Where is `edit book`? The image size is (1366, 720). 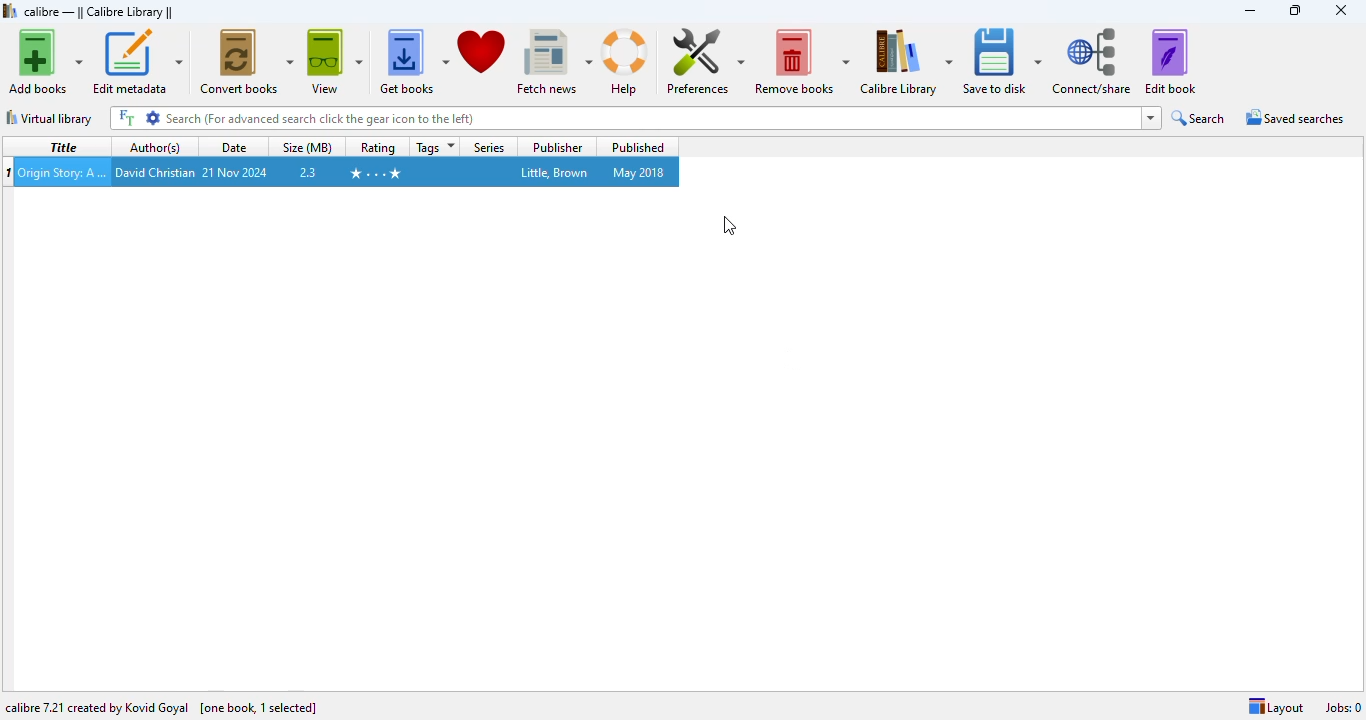 edit book is located at coordinates (1171, 61).